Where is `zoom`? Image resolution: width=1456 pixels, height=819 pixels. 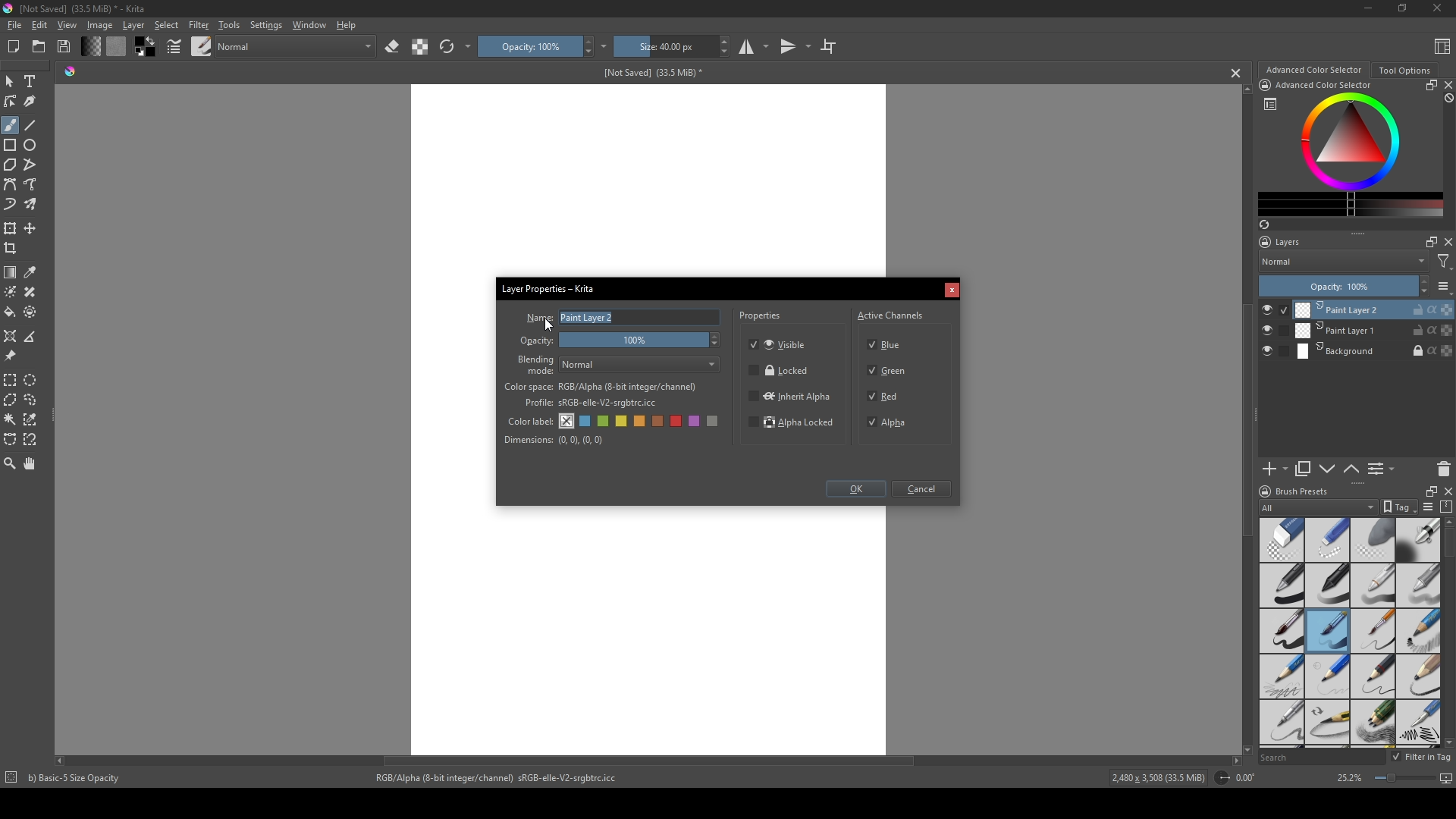
zoom is located at coordinates (10, 463).